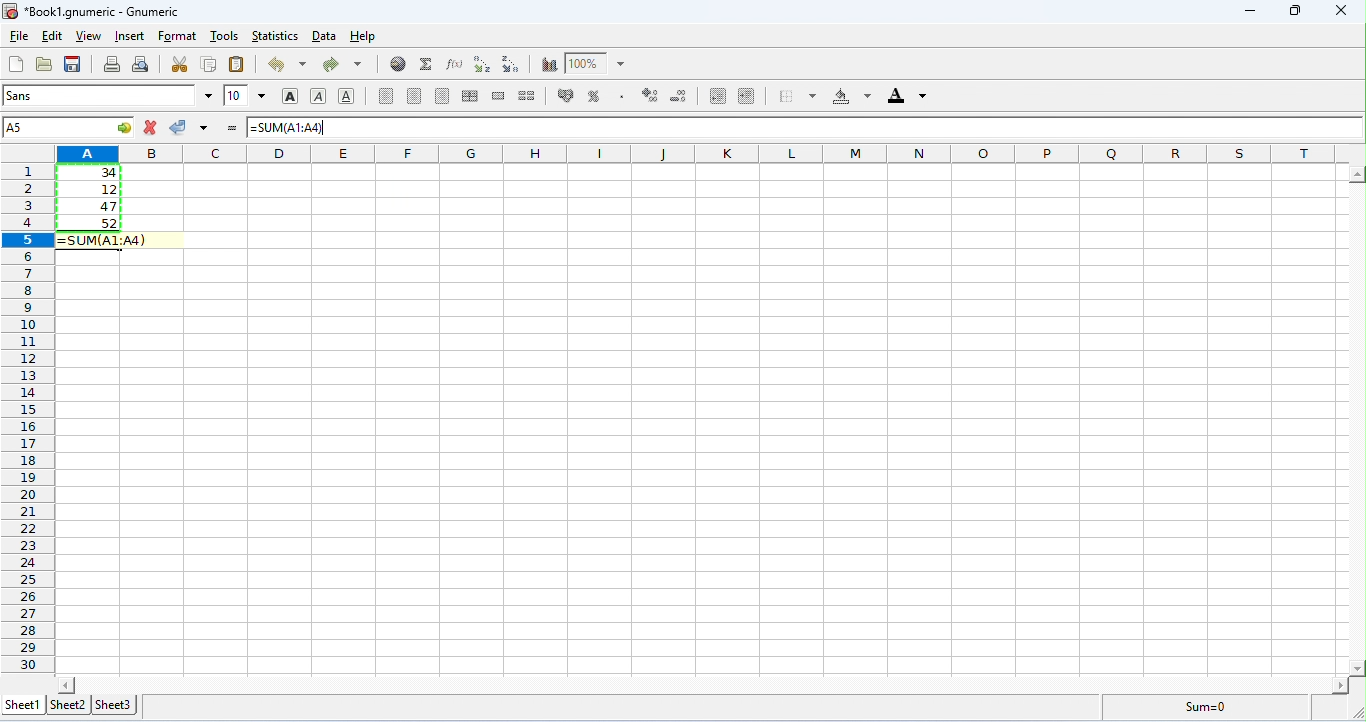 This screenshot has height=722, width=1366. What do you see at coordinates (246, 95) in the screenshot?
I see `font size` at bounding box center [246, 95].